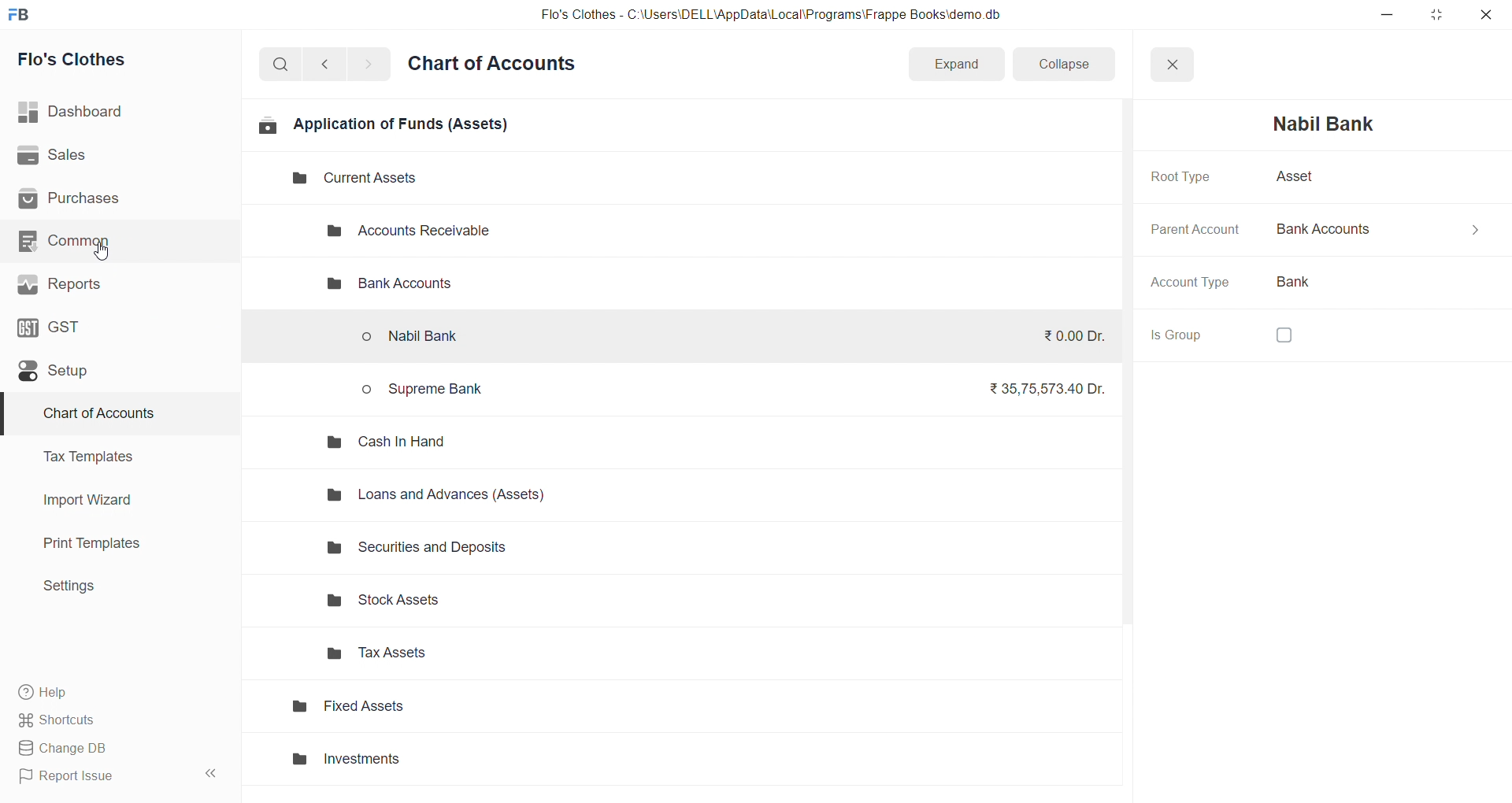 Image resolution: width=1512 pixels, height=803 pixels. Describe the element at coordinates (109, 326) in the screenshot. I see `GST` at that location.